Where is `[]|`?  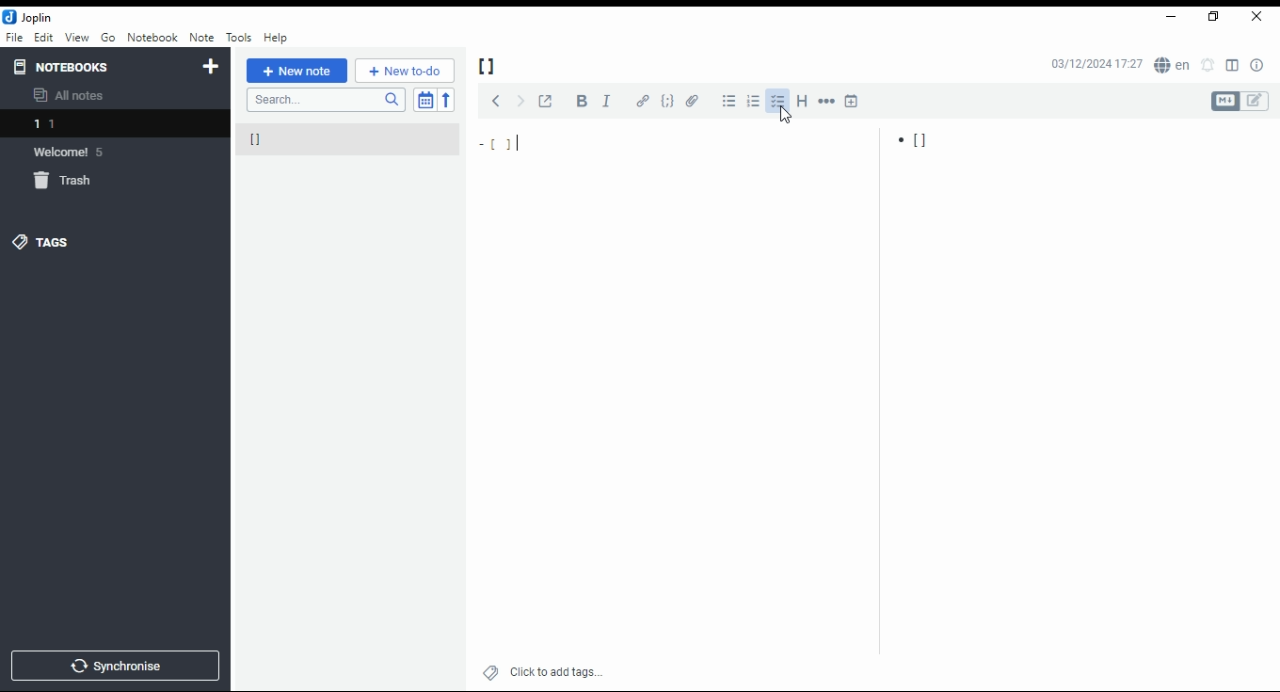
[]| is located at coordinates (501, 142).